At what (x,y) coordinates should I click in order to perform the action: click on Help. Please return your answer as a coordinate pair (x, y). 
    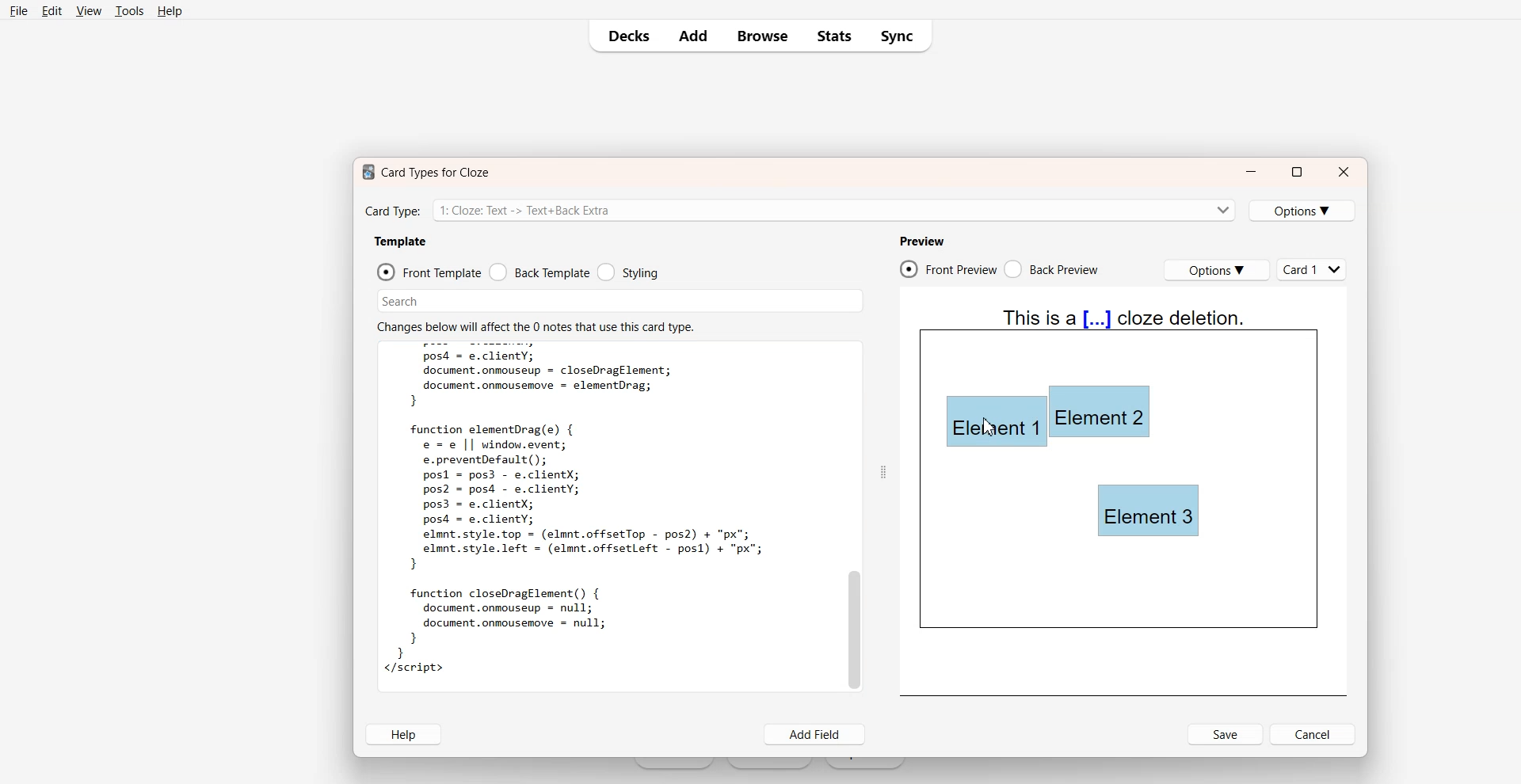
    Looking at the image, I should click on (169, 10).